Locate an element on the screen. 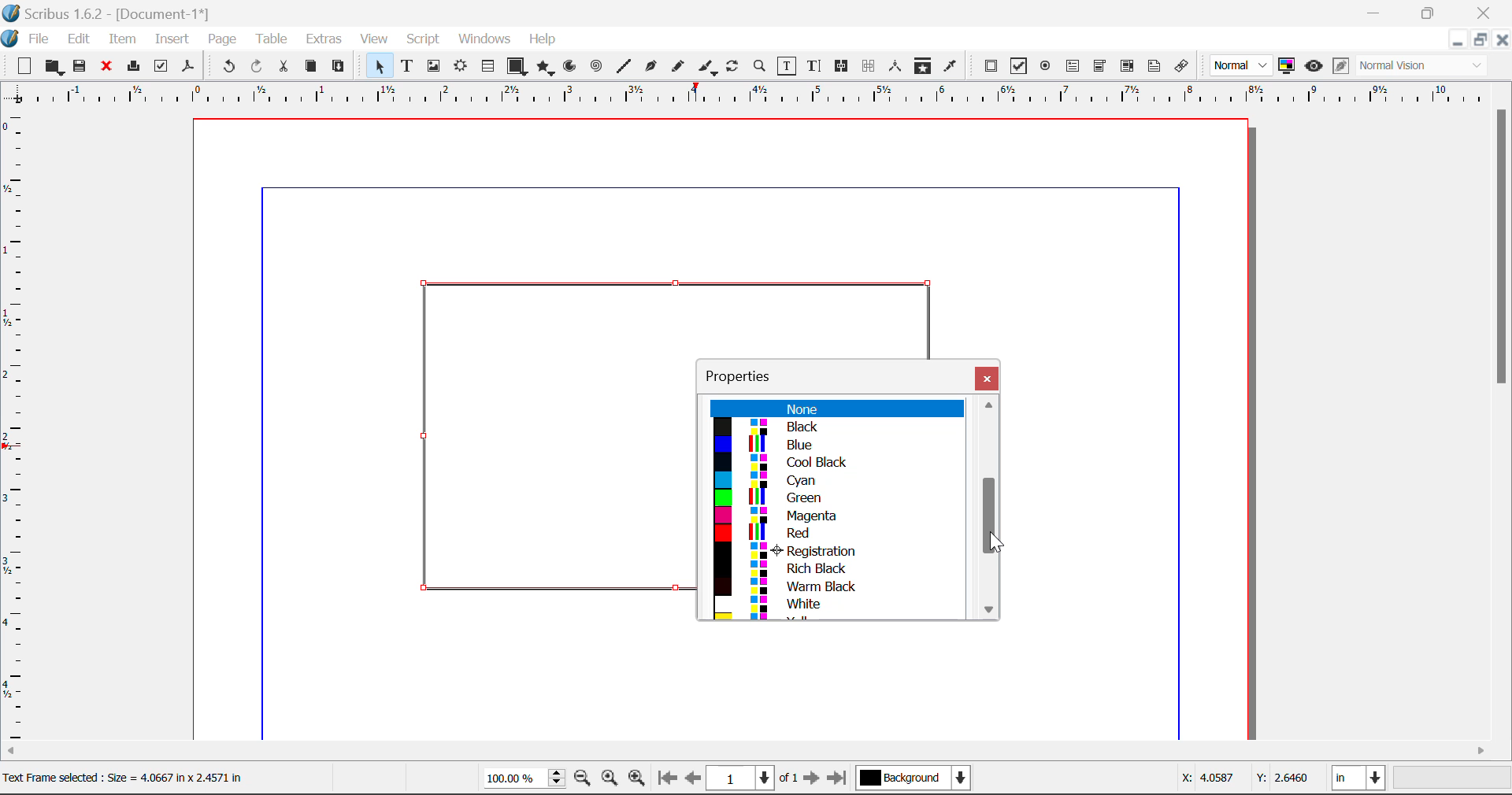  Page 1 of 1 is located at coordinates (754, 778).